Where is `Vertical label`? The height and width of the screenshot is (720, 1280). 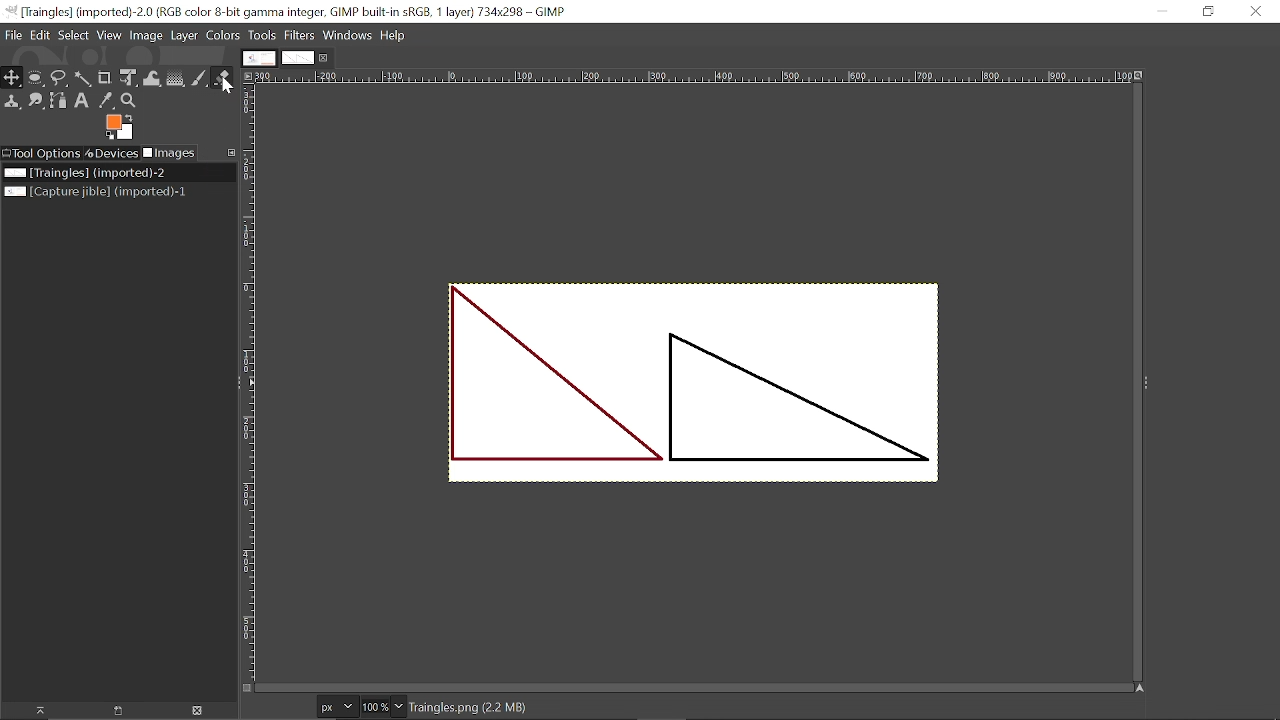 Vertical label is located at coordinates (251, 383).